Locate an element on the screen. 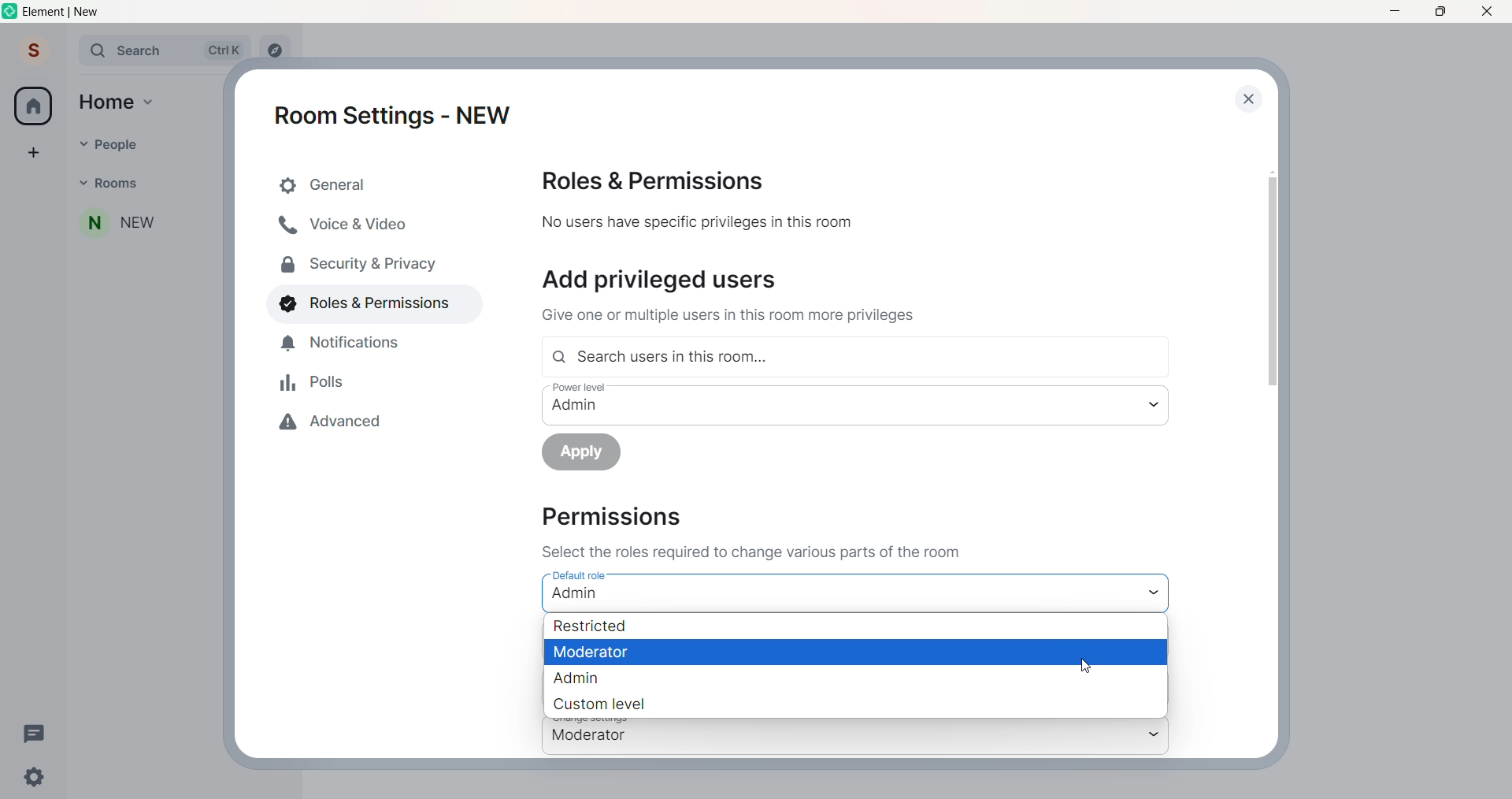 This screenshot has height=799, width=1512. apply is located at coordinates (592, 454).